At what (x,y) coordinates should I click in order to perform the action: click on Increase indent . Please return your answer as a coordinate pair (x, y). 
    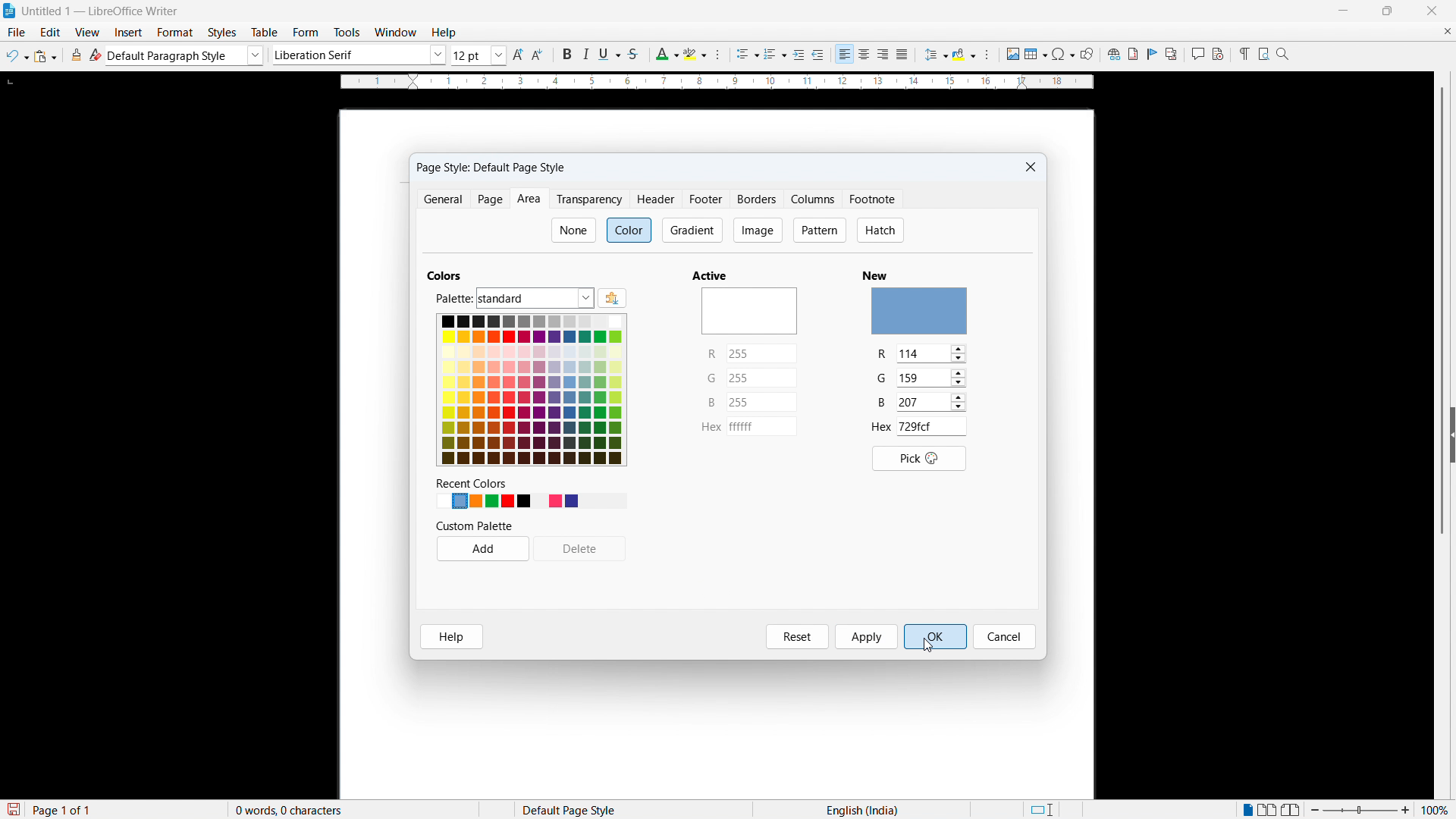
    Looking at the image, I should click on (799, 55).